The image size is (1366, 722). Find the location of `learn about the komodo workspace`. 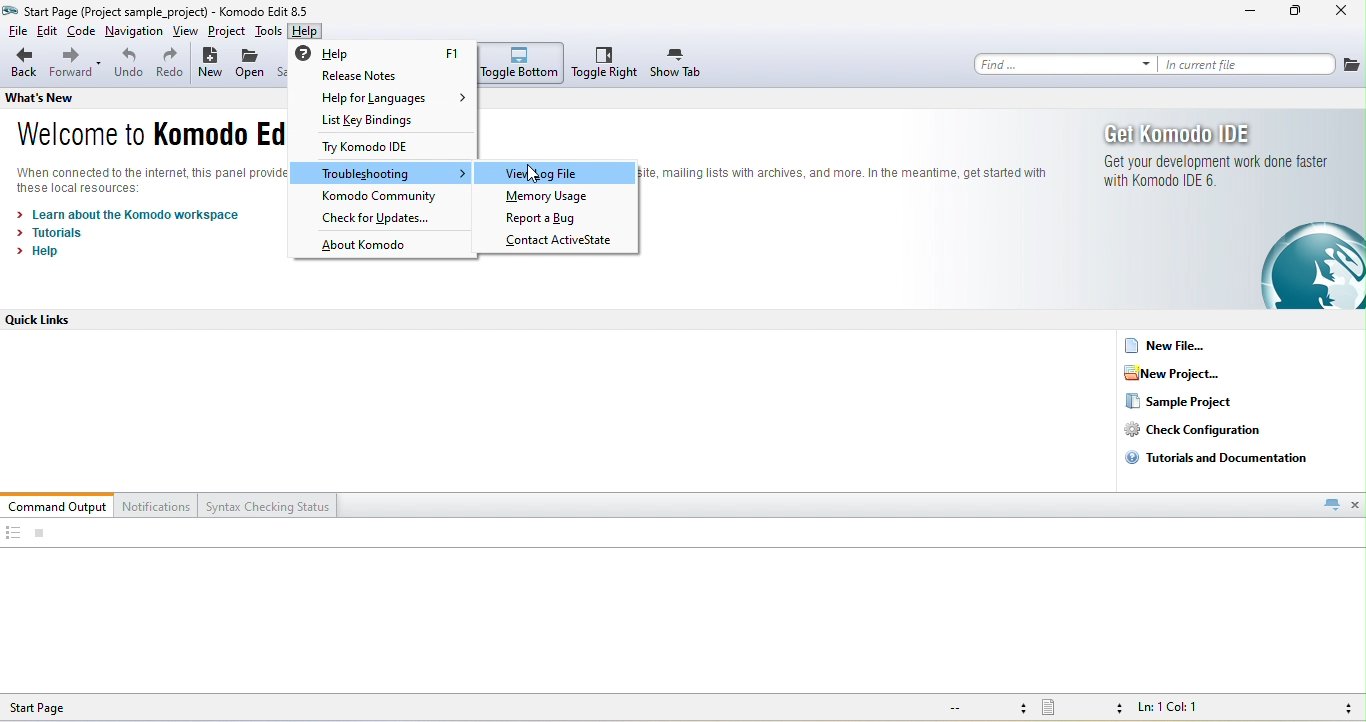

learn about the komodo workspace is located at coordinates (131, 215).